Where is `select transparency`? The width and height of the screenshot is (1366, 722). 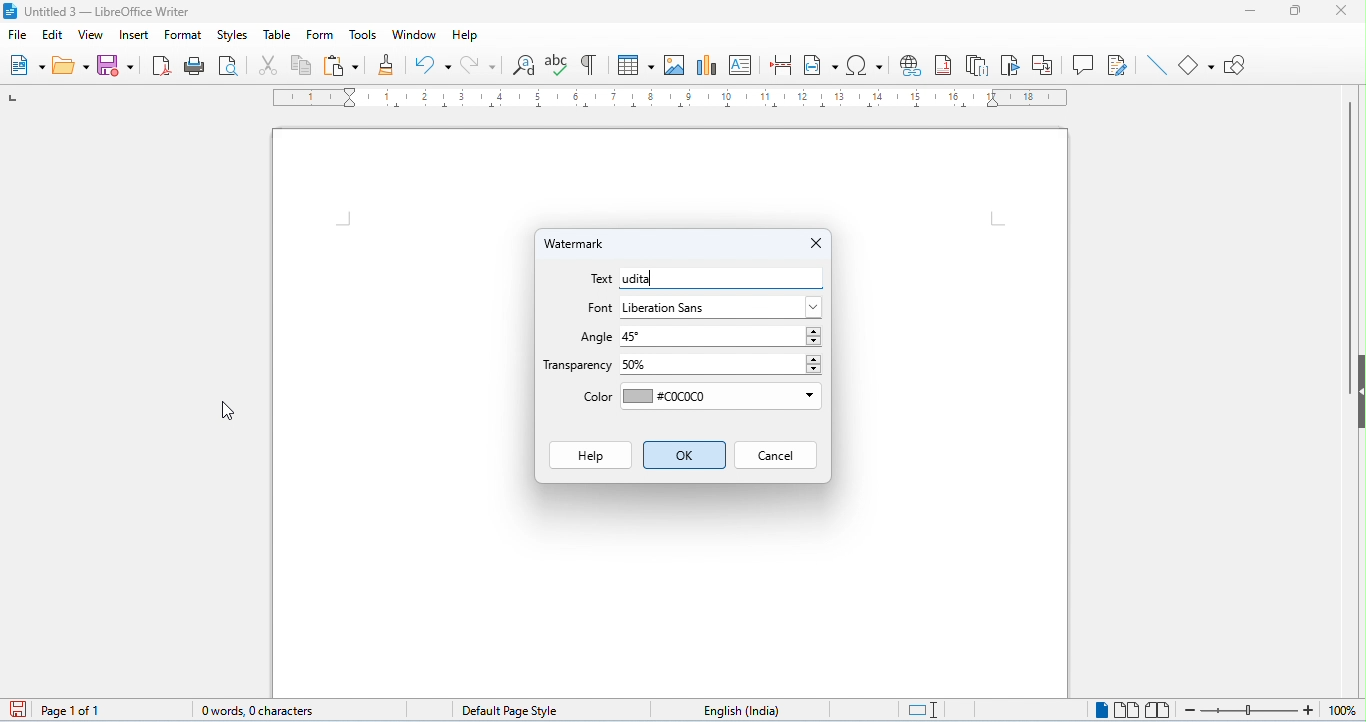 select transparency is located at coordinates (724, 364).